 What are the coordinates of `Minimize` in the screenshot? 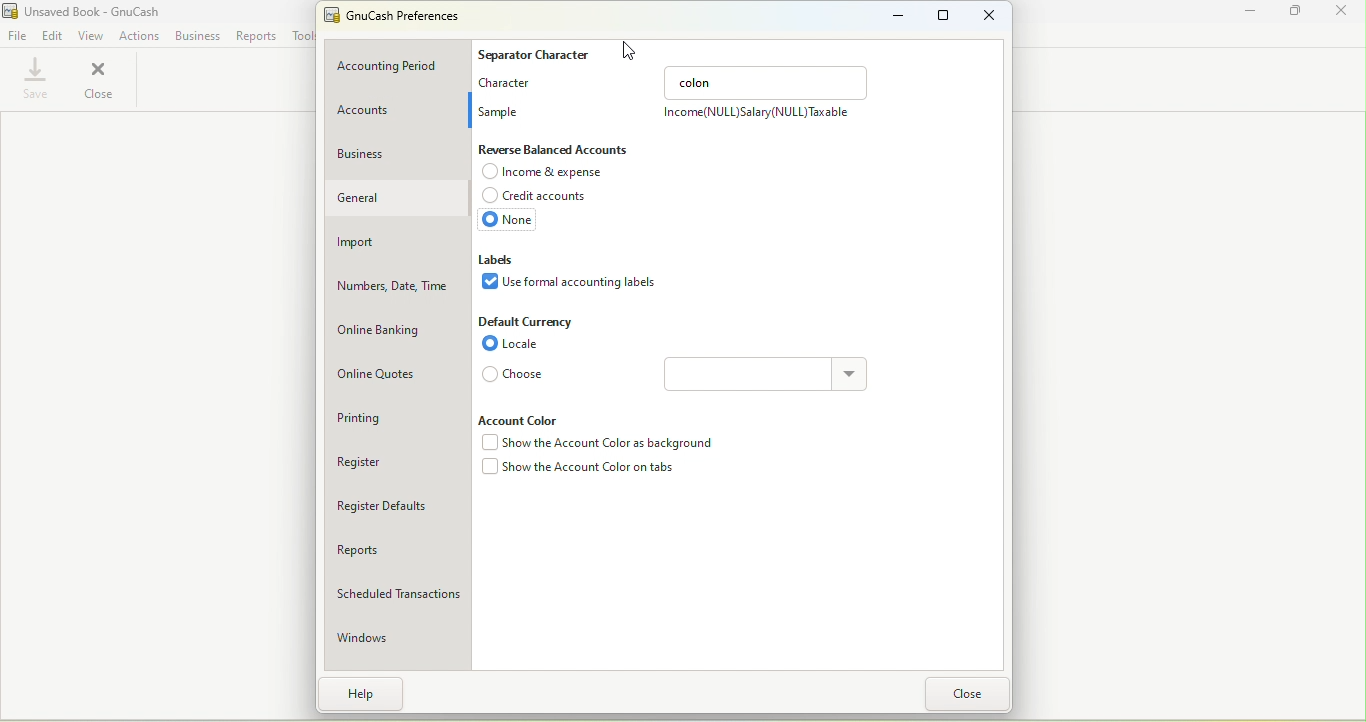 It's located at (1252, 11).